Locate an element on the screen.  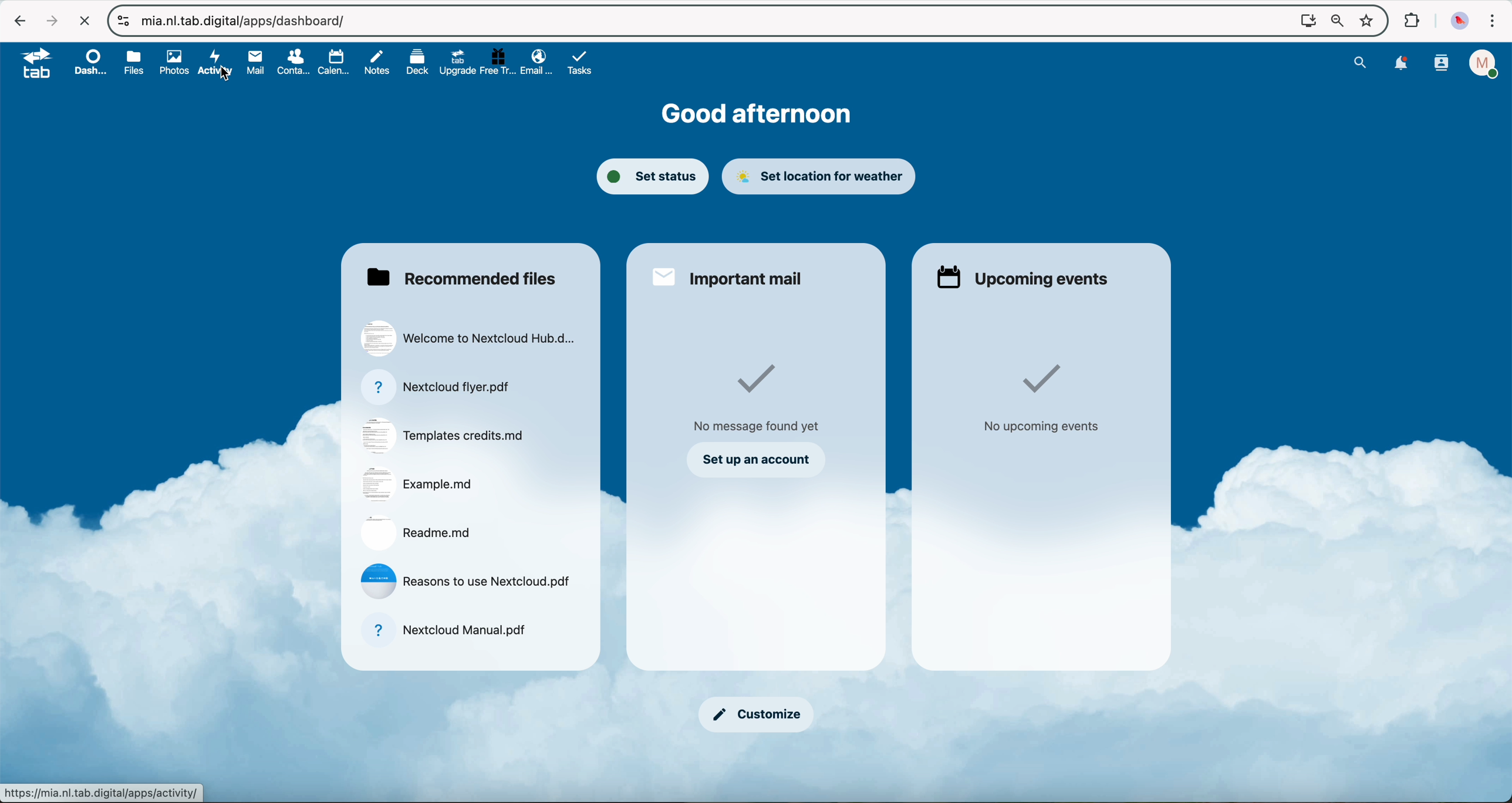
navigate foward is located at coordinates (50, 21).